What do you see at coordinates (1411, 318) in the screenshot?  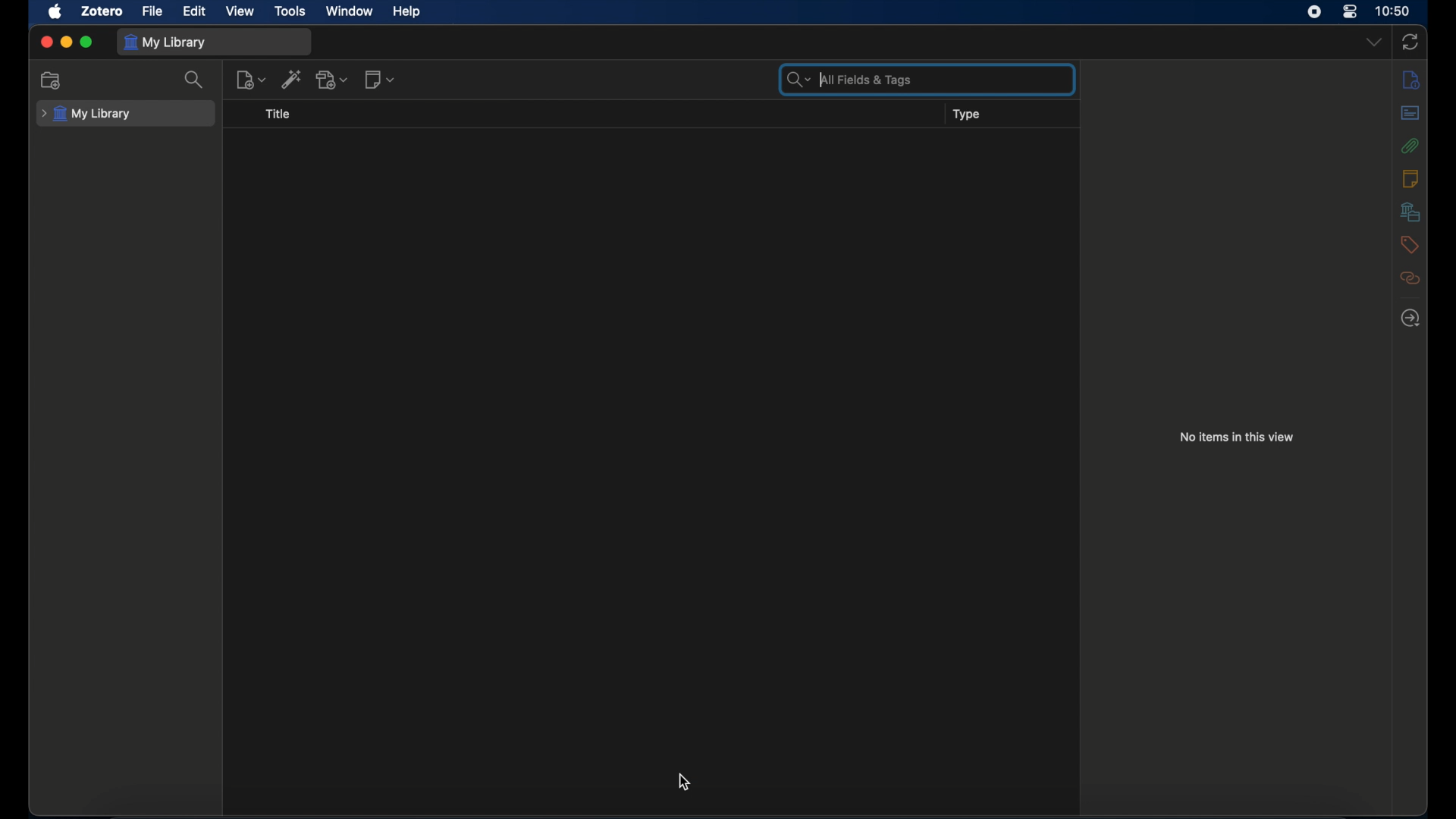 I see `locate` at bounding box center [1411, 318].